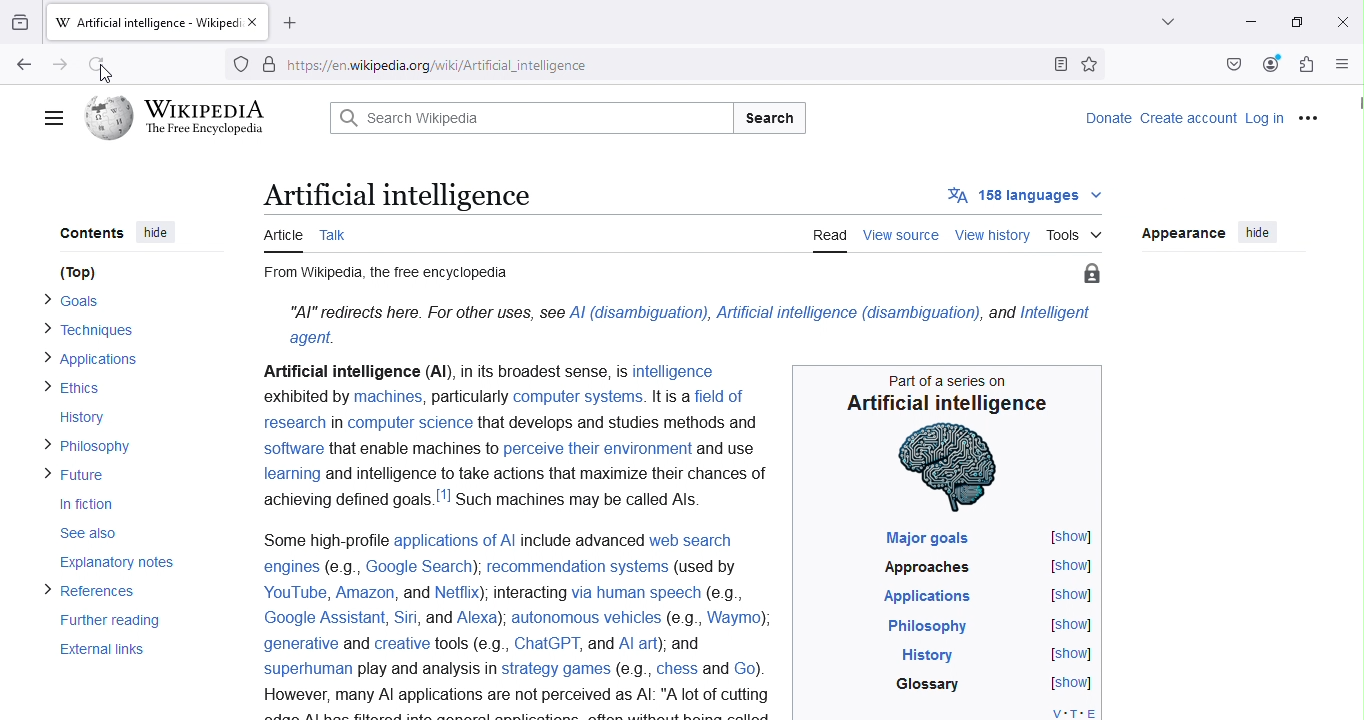 This screenshot has width=1364, height=720. I want to click on History, so click(924, 657).